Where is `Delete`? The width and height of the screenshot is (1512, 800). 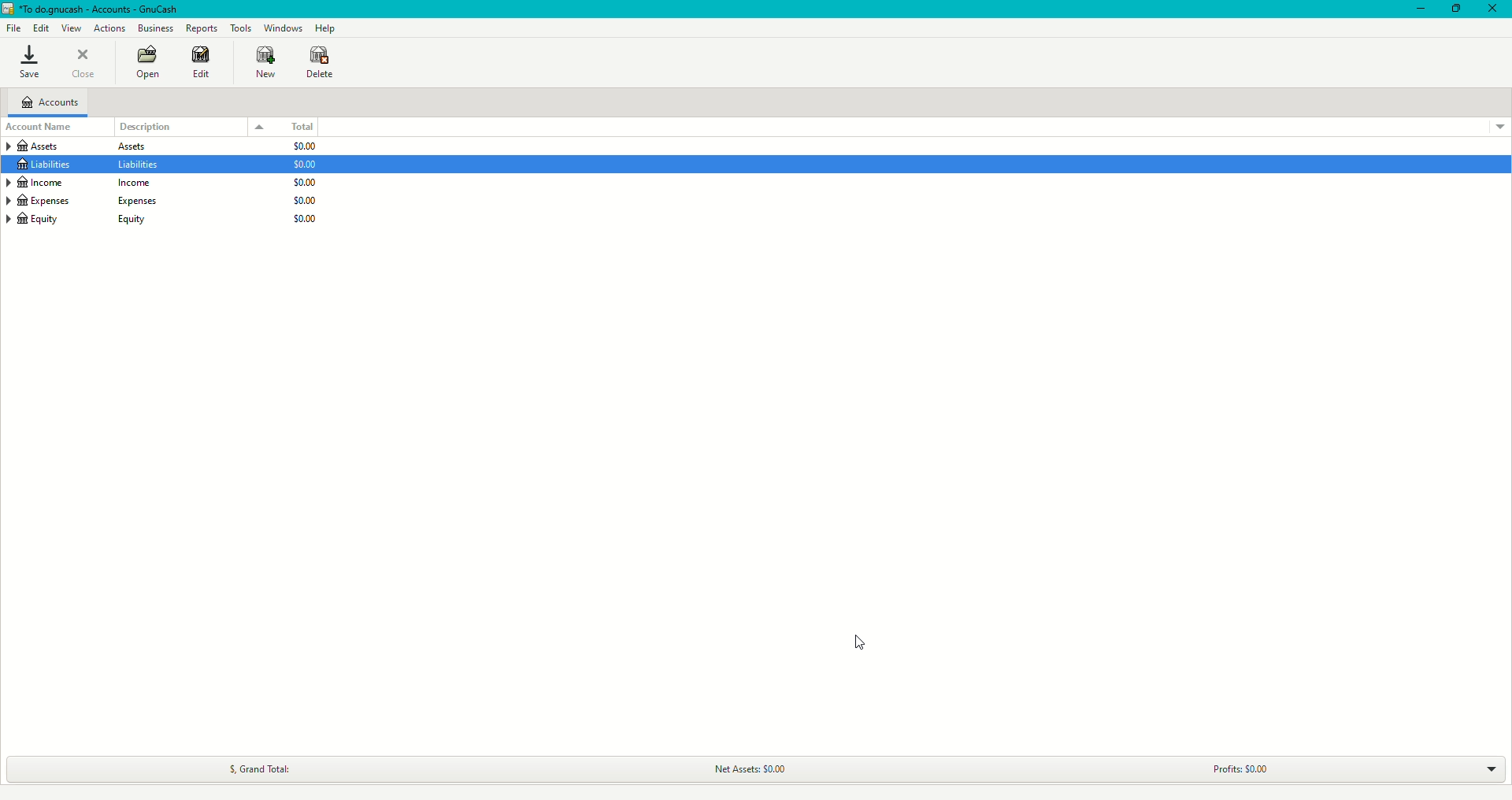
Delete is located at coordinates (321, 65).